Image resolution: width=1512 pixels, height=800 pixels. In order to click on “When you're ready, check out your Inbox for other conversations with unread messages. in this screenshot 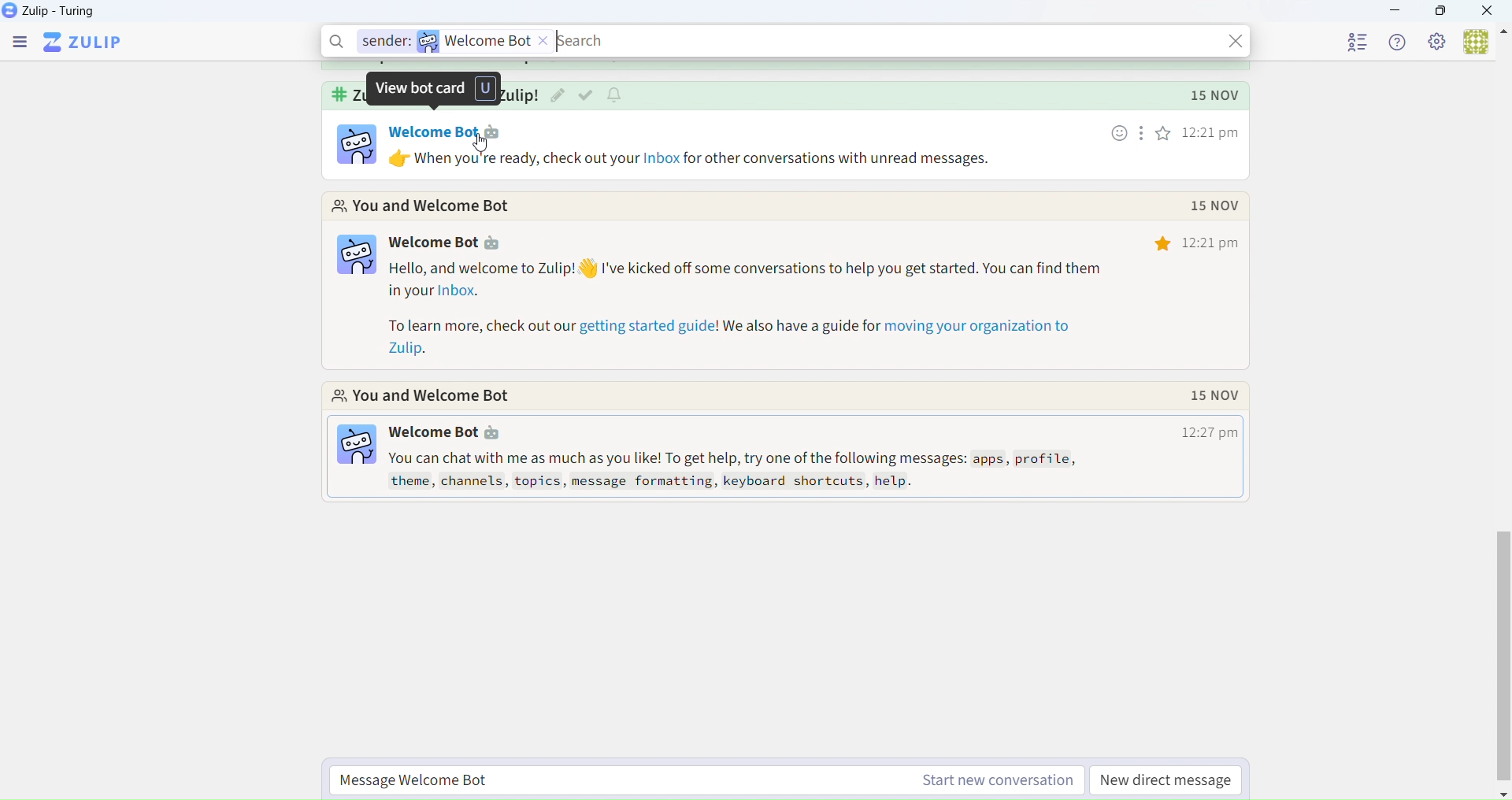, I will do `click(707, 157)`.